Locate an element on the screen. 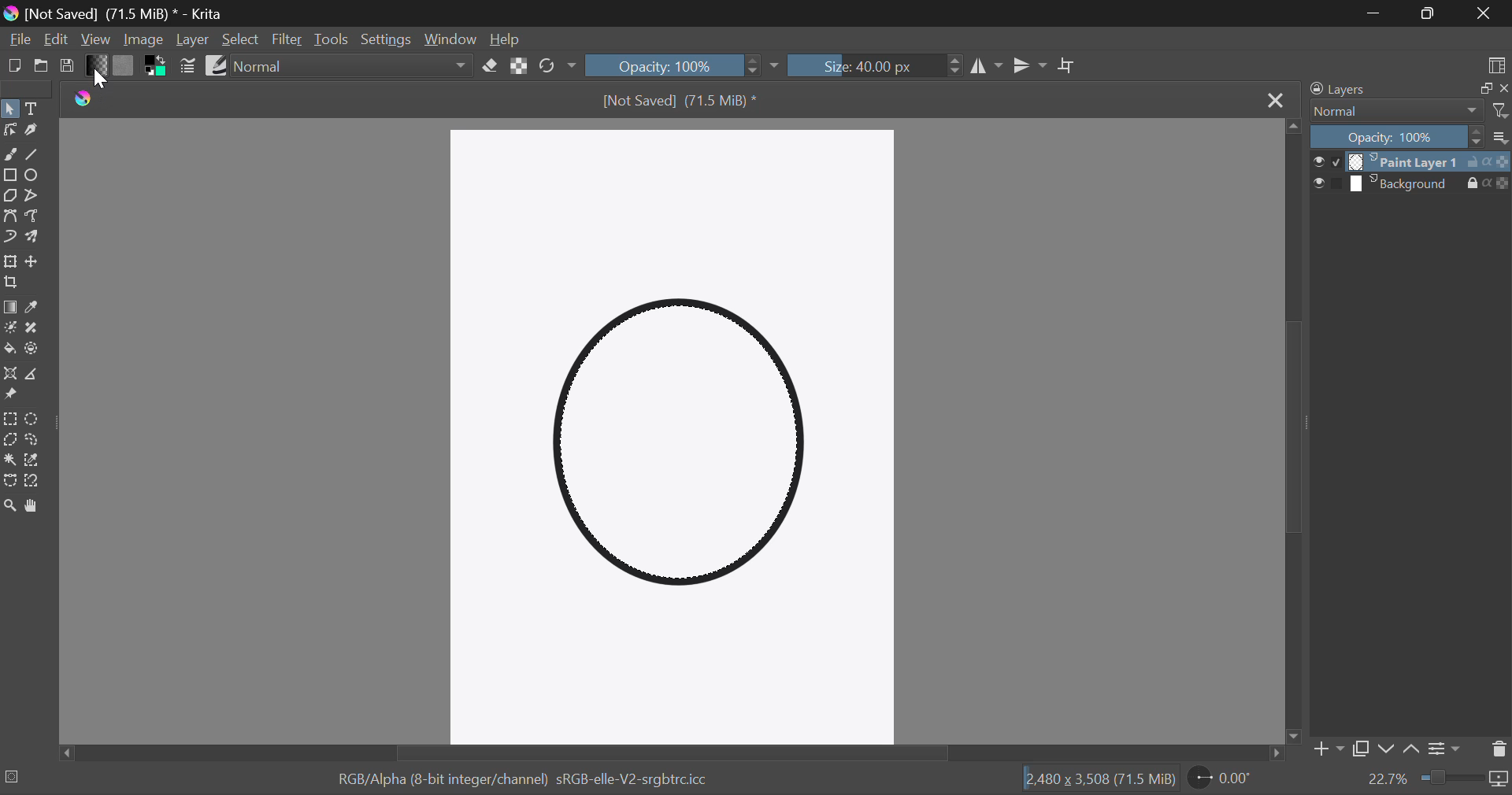 This screenshot has height=795, width=1512. Close is located at coordinates (1276, 102).